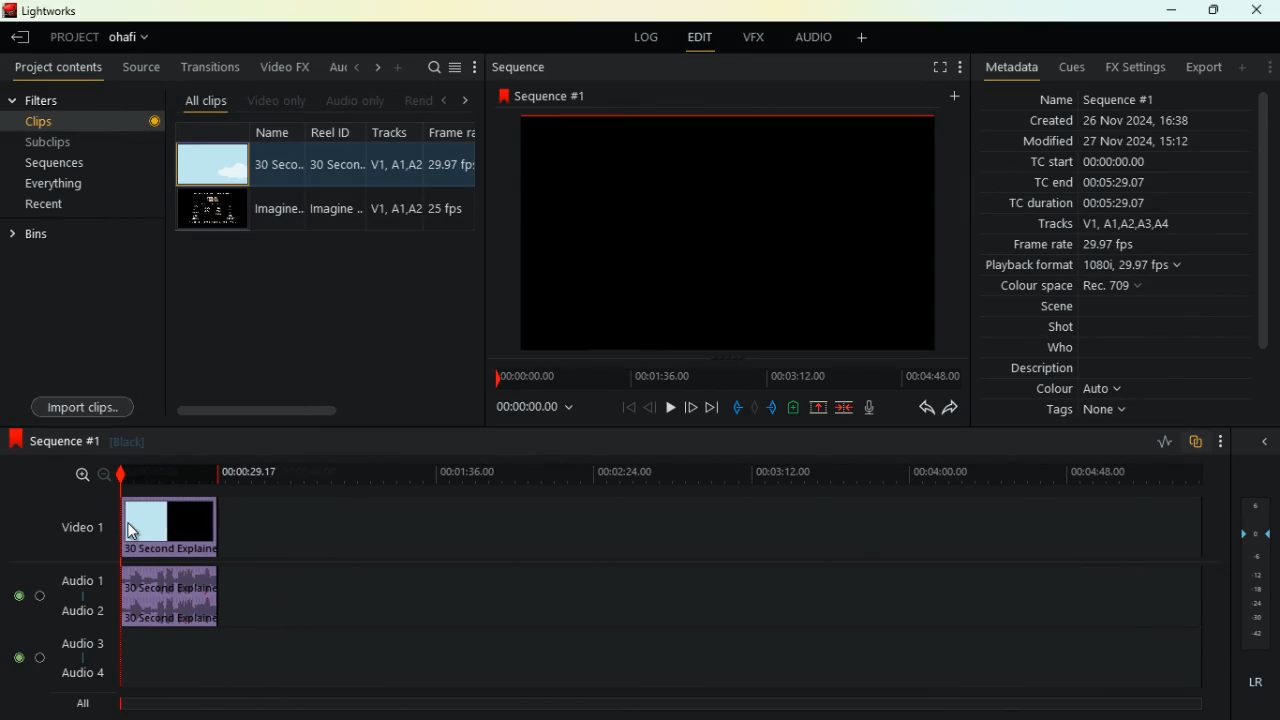 This screenshot has height=720, width=1280. I want to click on audio 3 and audio 4 timeline track, so click(665, 661).